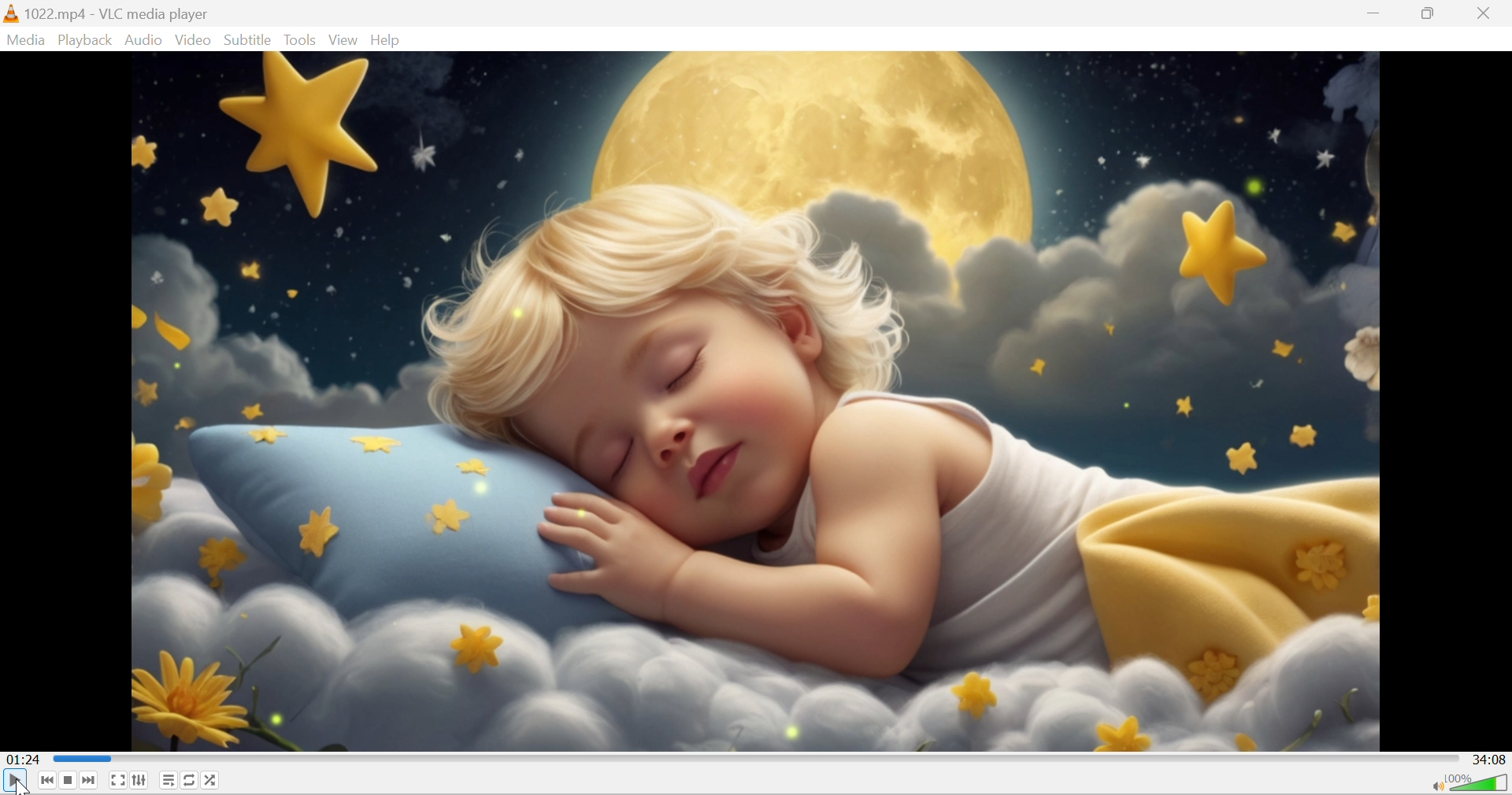 The width and height of the screenshot is (1512, 795). What do you see at coordinates (1376, 13) in the screenshot?
I see `Minimize` at bounding box center [1376, 13].